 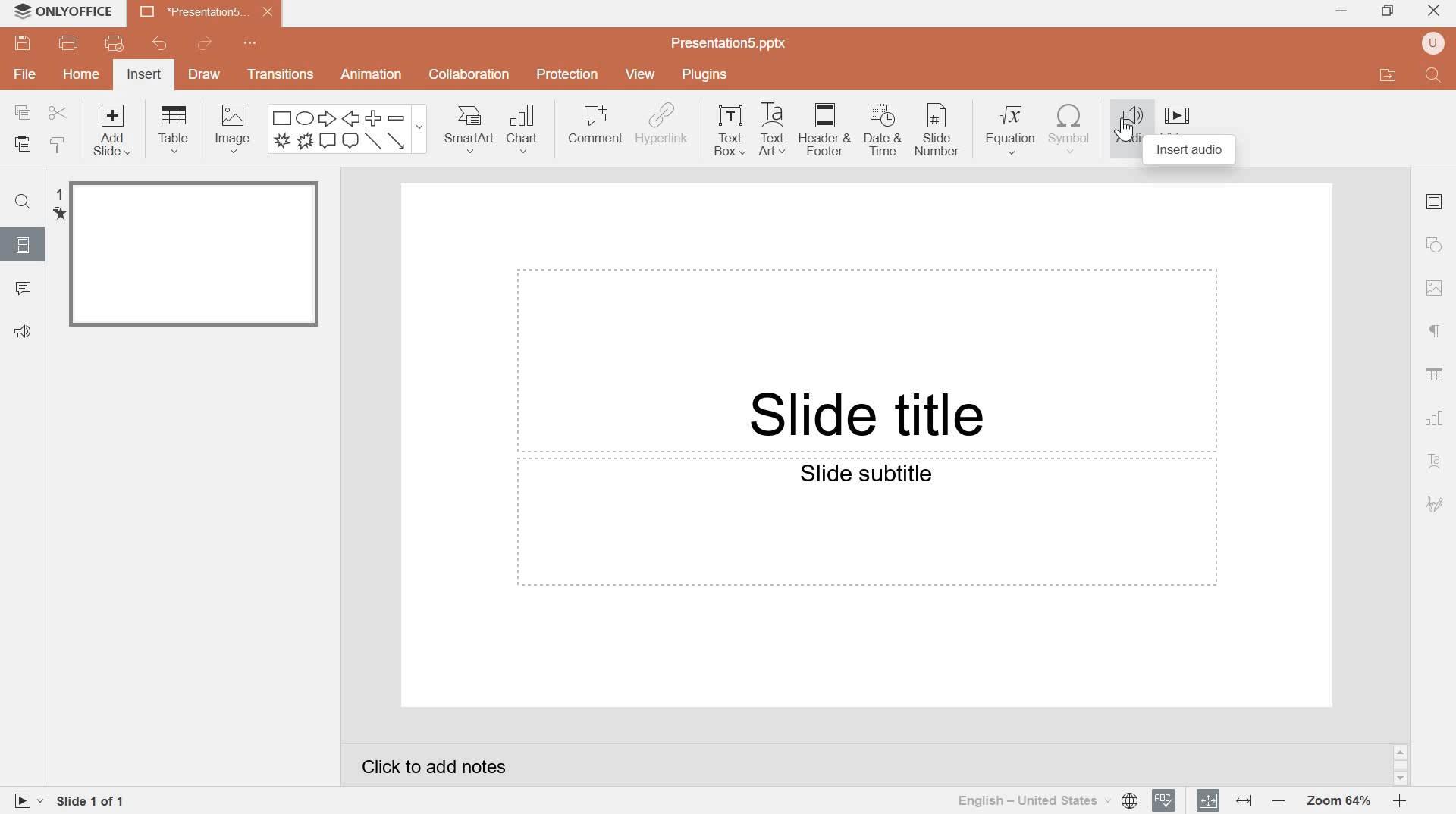 I want to click on Text Art, so click(x=776, y=130).